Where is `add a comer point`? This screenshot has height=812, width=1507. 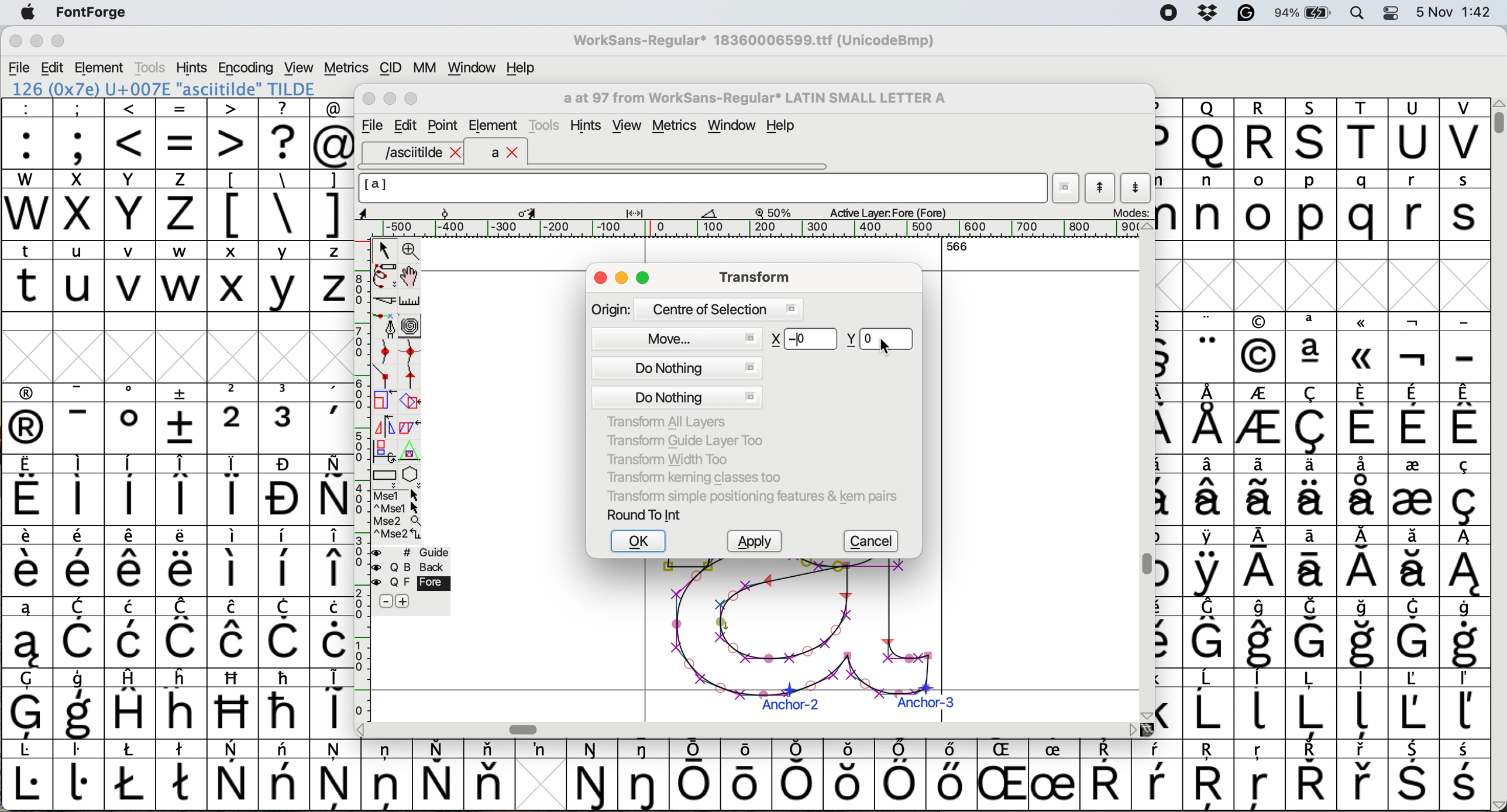
add a comer point is located at coordinates (386, 376).